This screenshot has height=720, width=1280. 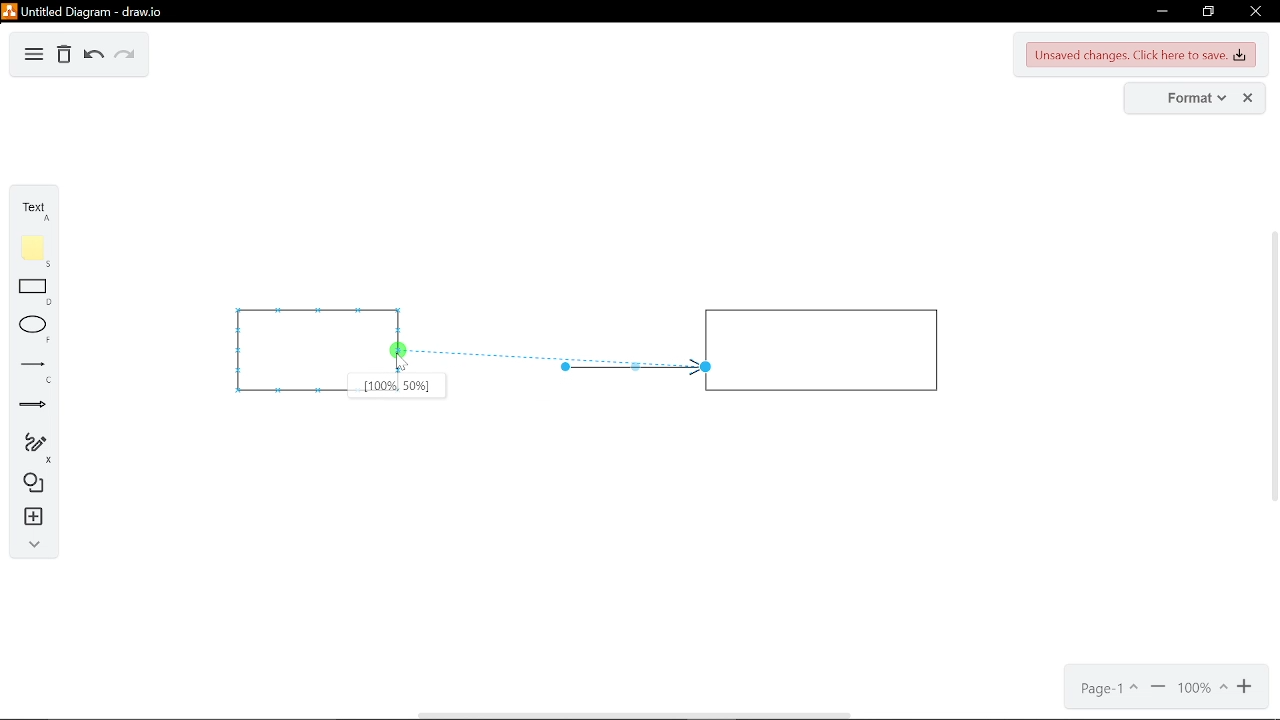 What do you see at coordinates (31, 295) in the screenshot?
I see `rectangle` at bounding box center [31, 295].